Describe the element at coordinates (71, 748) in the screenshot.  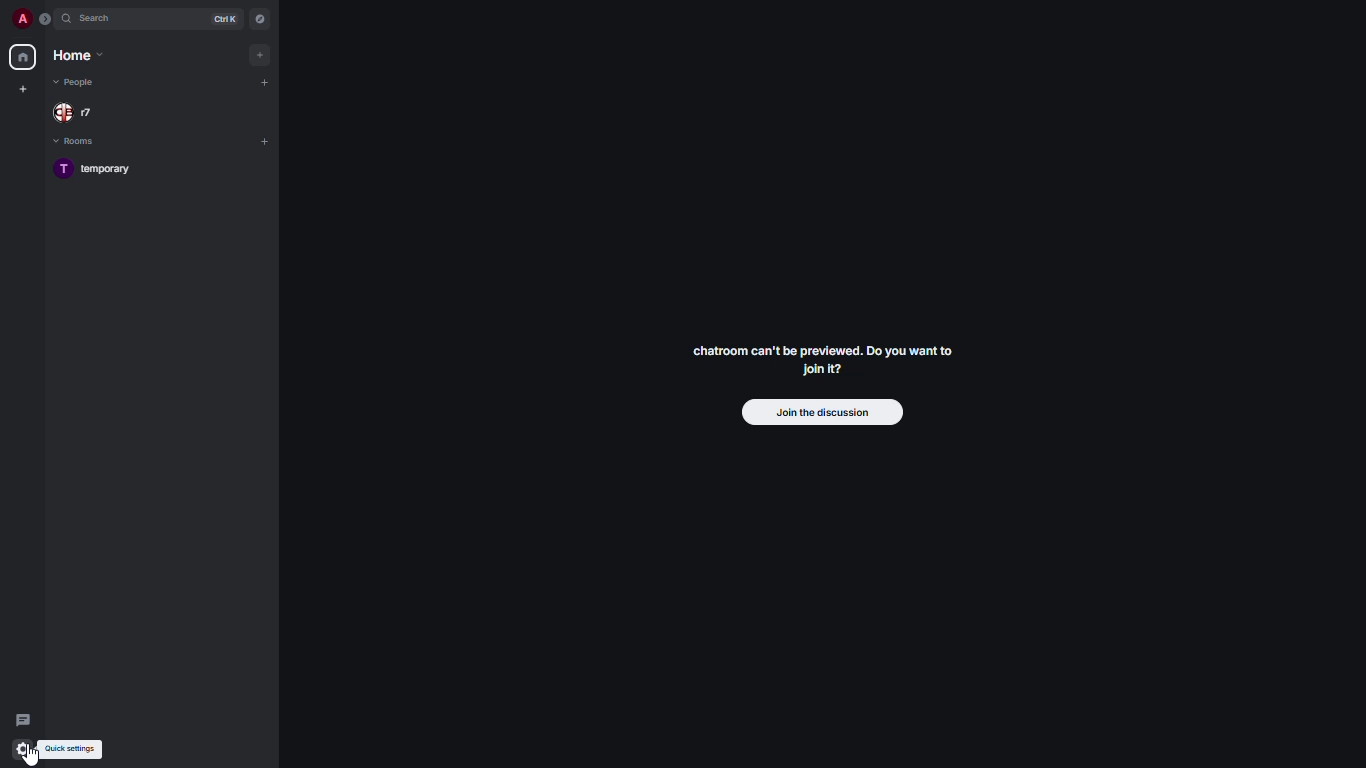
I see `quick settings` at that location.